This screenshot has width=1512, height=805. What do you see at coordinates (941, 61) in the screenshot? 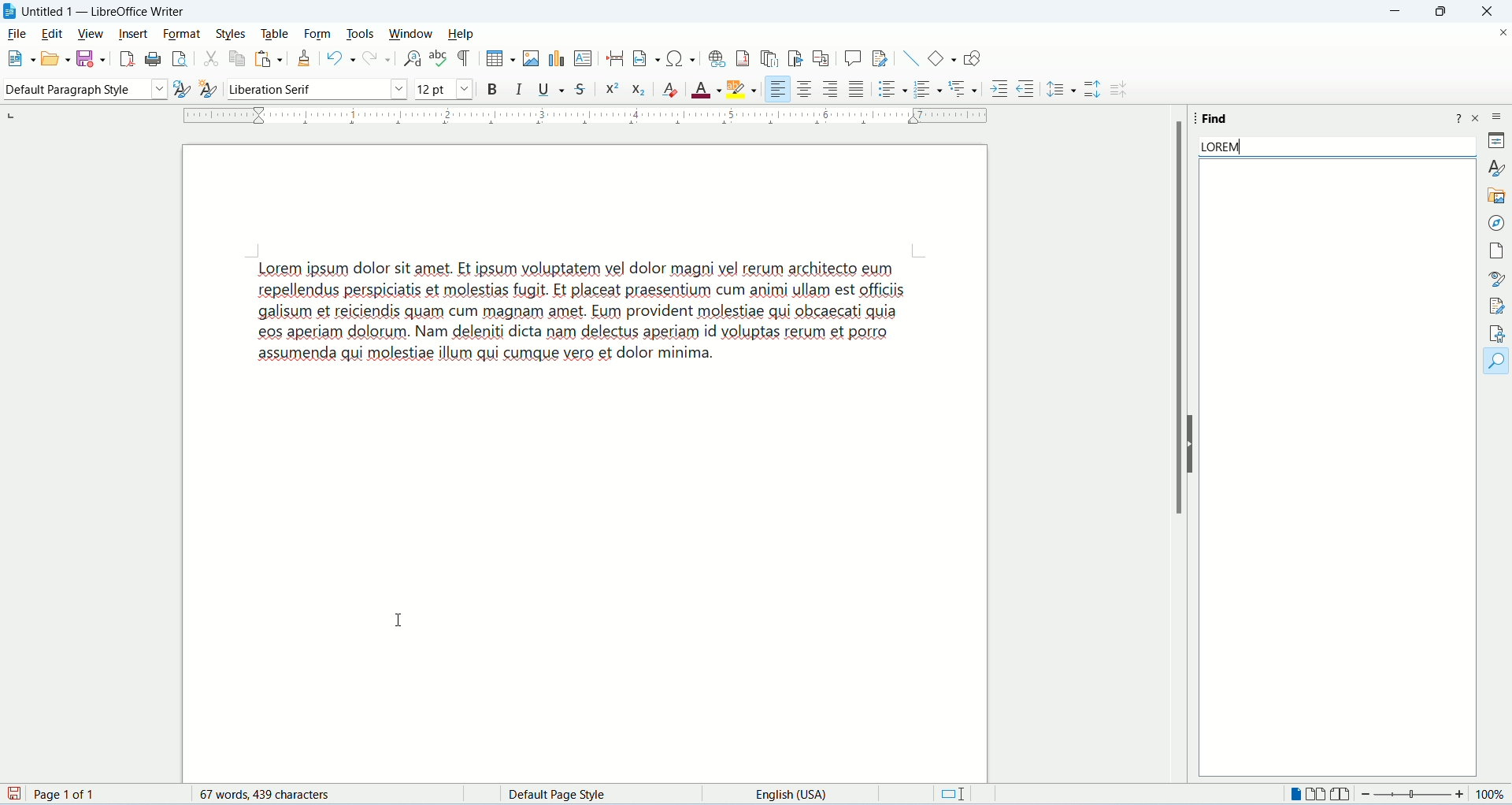
I see `basic function` at bounding box center [941, 61].